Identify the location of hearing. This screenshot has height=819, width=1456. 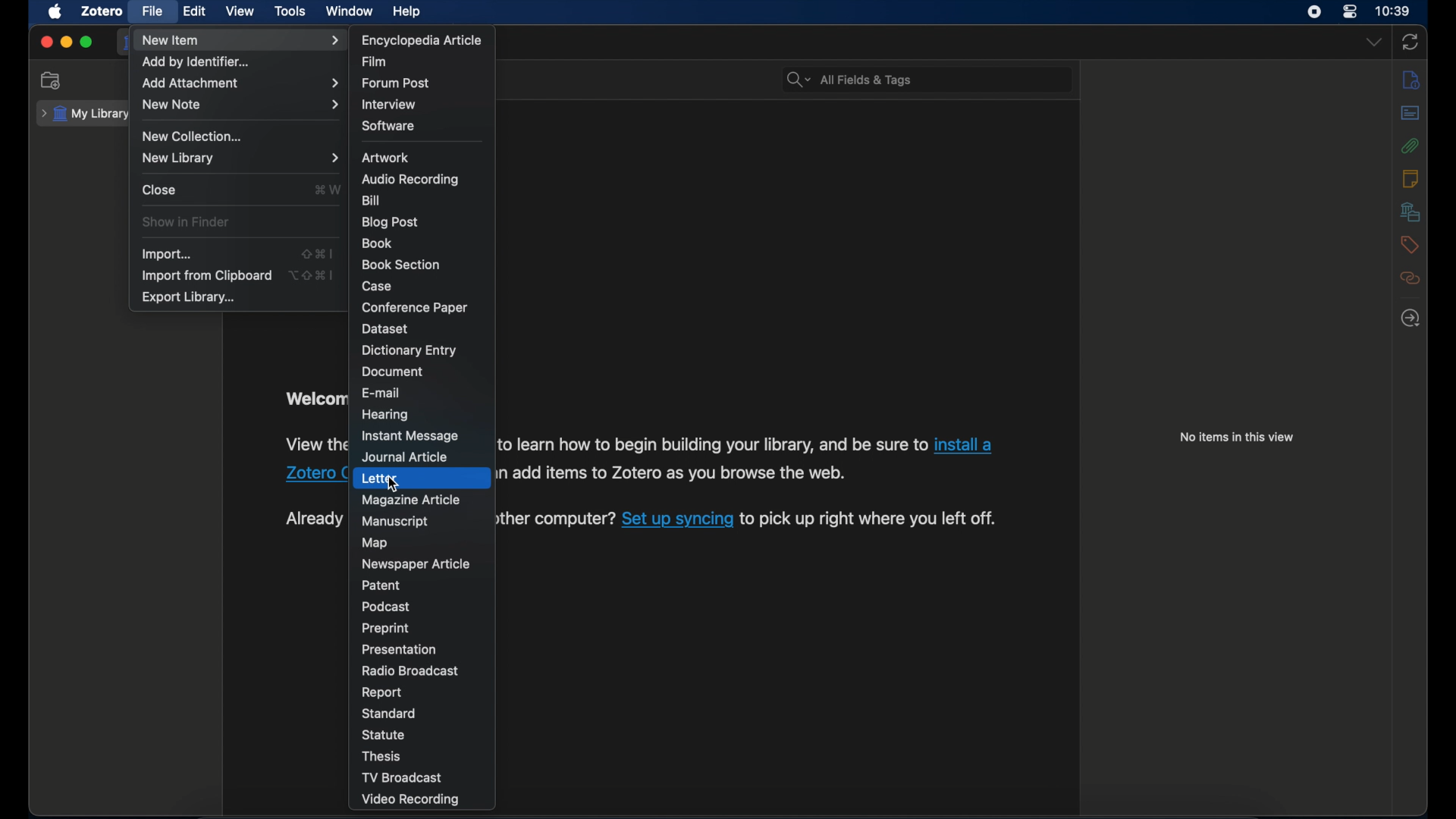
(386, 415).